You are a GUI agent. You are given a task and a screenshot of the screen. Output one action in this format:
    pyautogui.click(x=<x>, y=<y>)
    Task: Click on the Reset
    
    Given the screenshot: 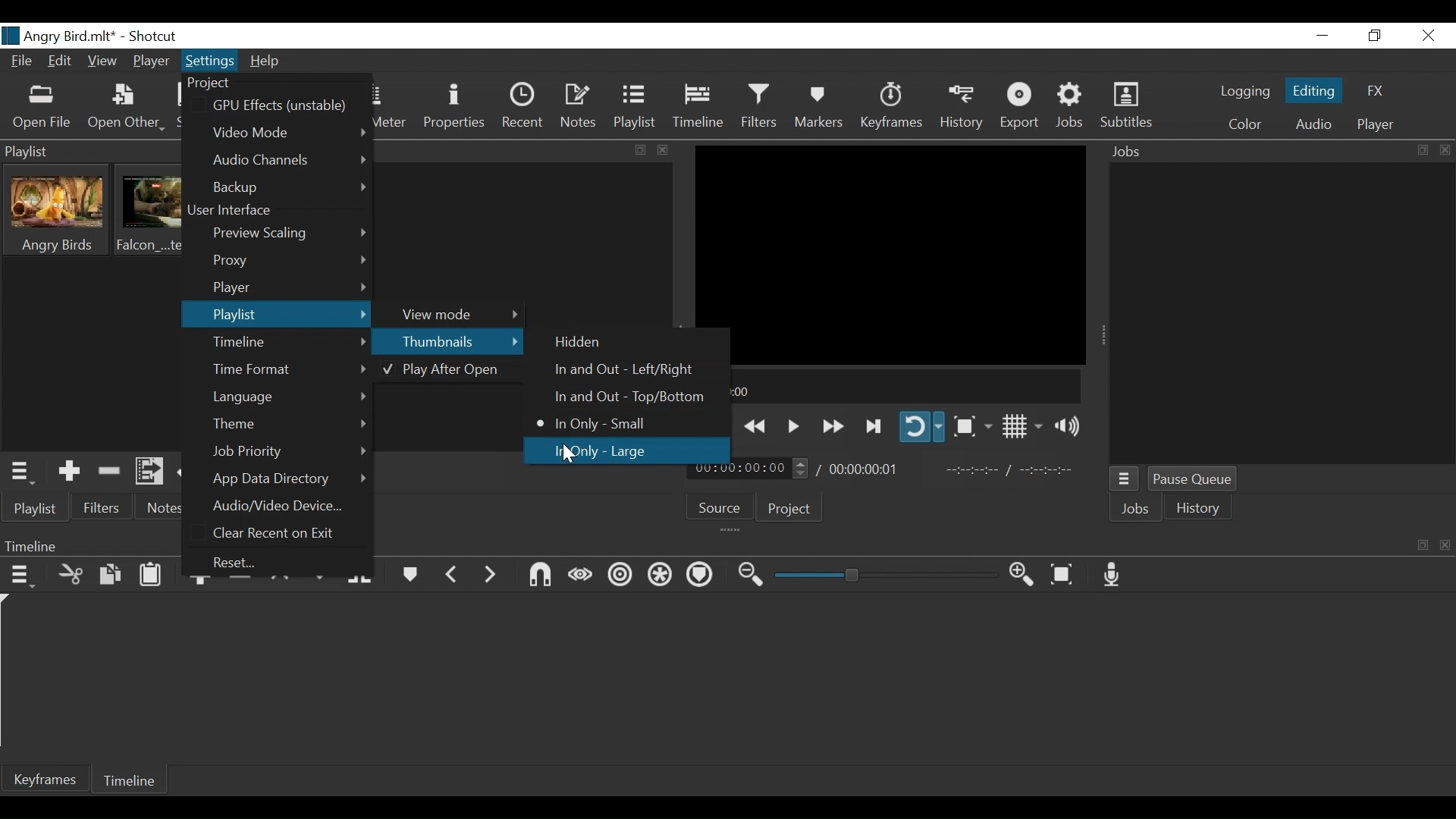 What is the action you would take?
    pyautogui.click(x=247, y=562)
    